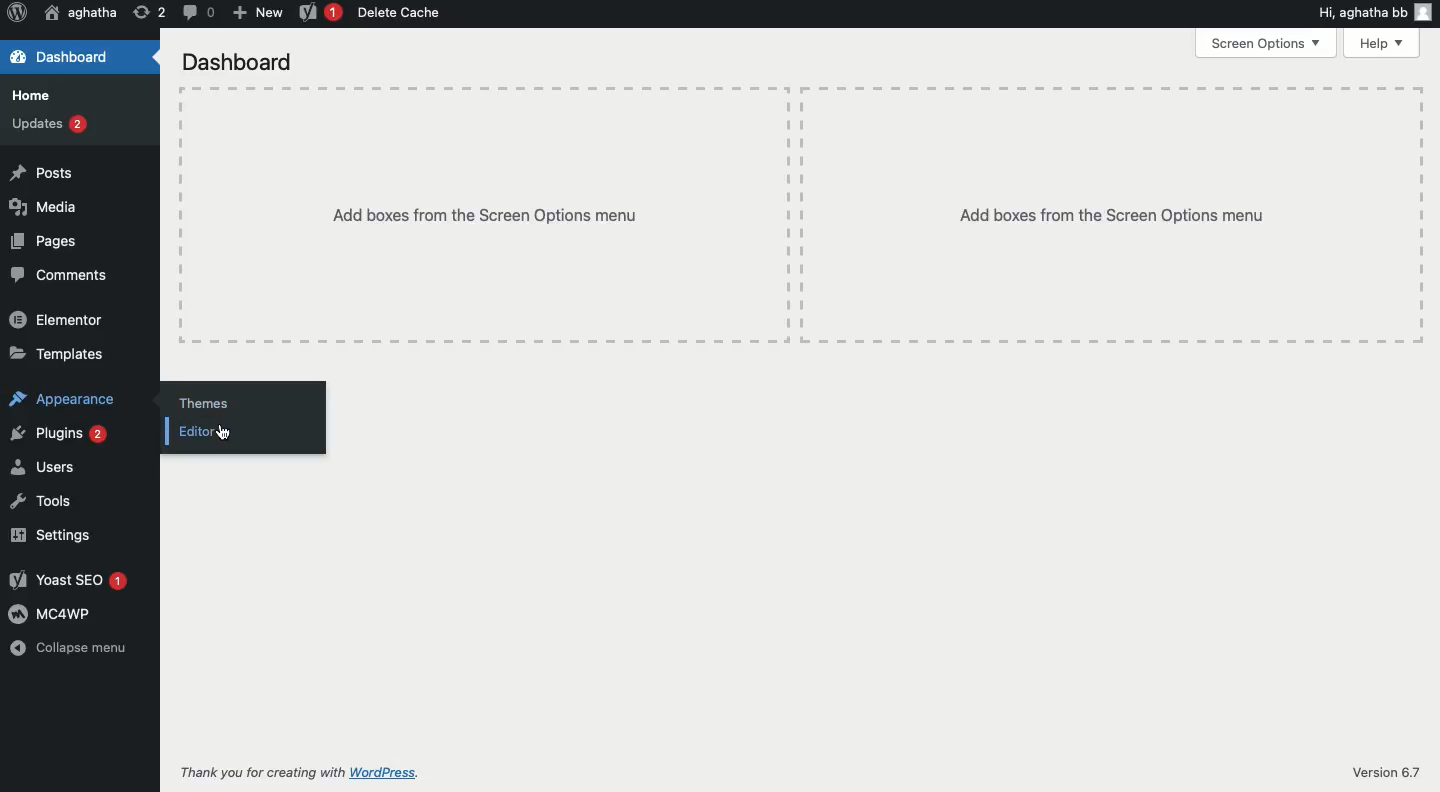 The width and height of the screenshot is (1440, 792). What do you see at coordinates (241, 62) in the screenshot?
I see `Dashboard` at bounding box center [241, 62].